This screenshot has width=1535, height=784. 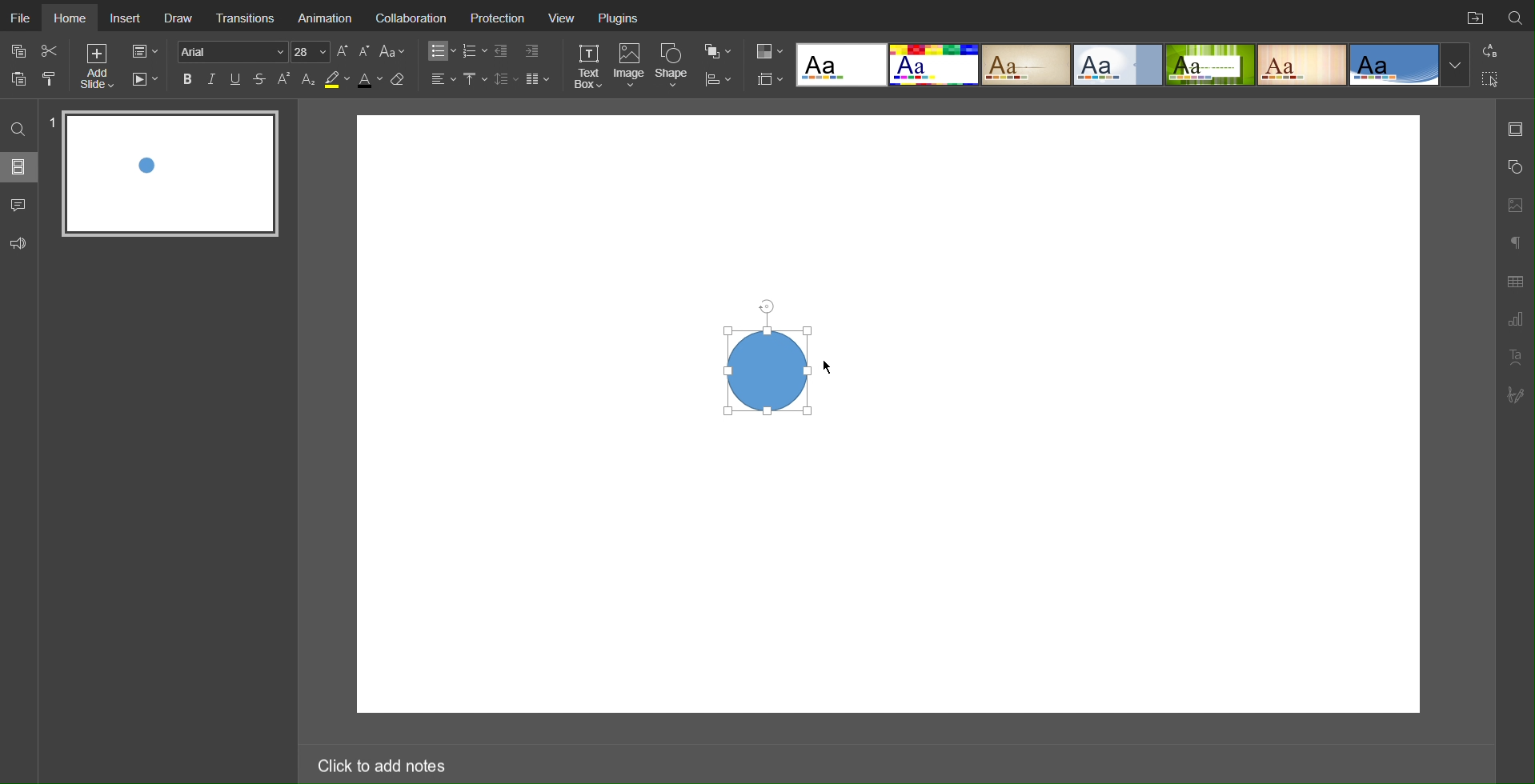 I want to click on Increase Indent, so click(x=531, y=52).